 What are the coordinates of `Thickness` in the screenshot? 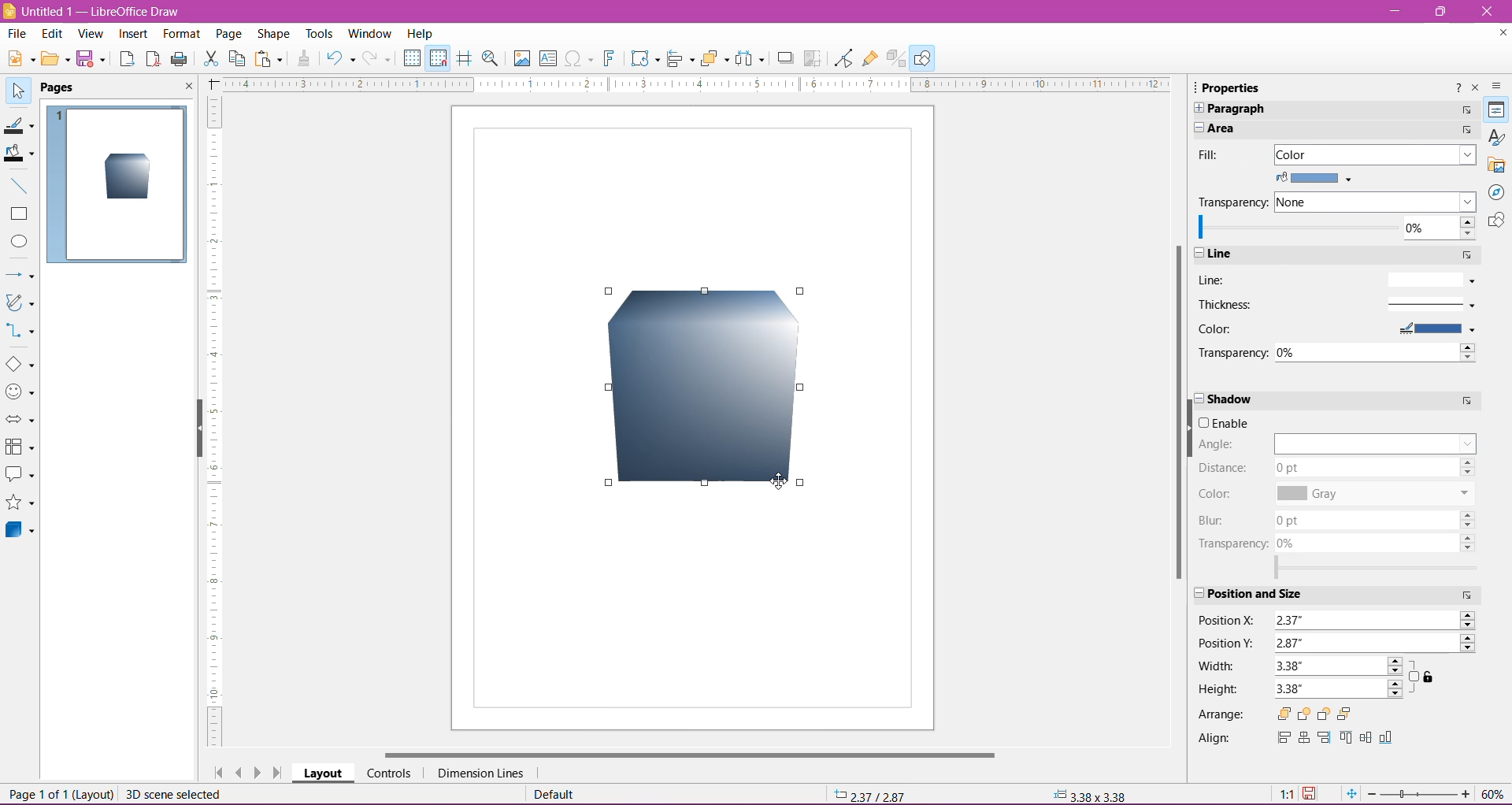 It's located at (1239, 304).